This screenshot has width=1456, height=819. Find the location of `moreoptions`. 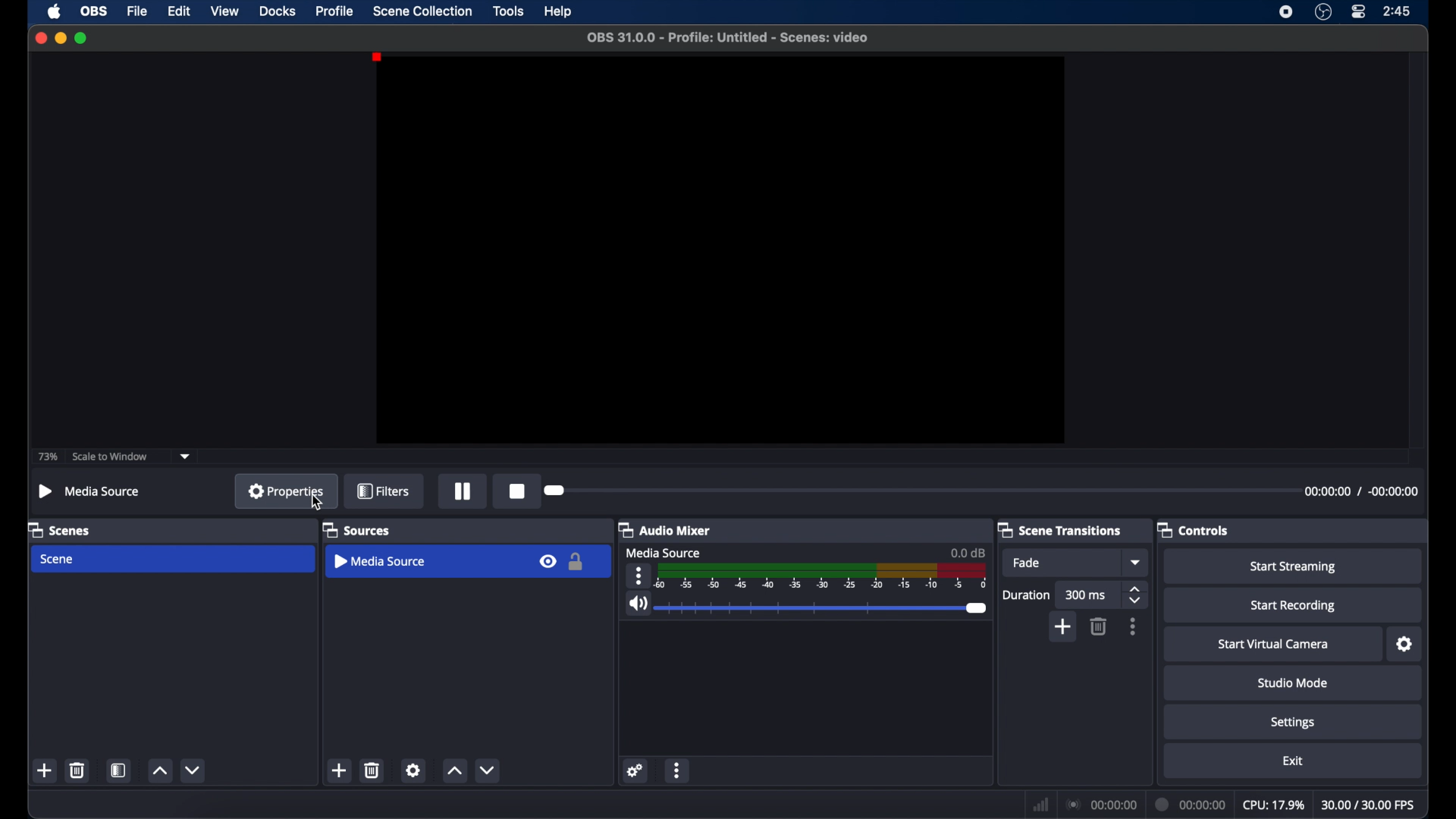

moreoptions is located at coordinates (639, 576).